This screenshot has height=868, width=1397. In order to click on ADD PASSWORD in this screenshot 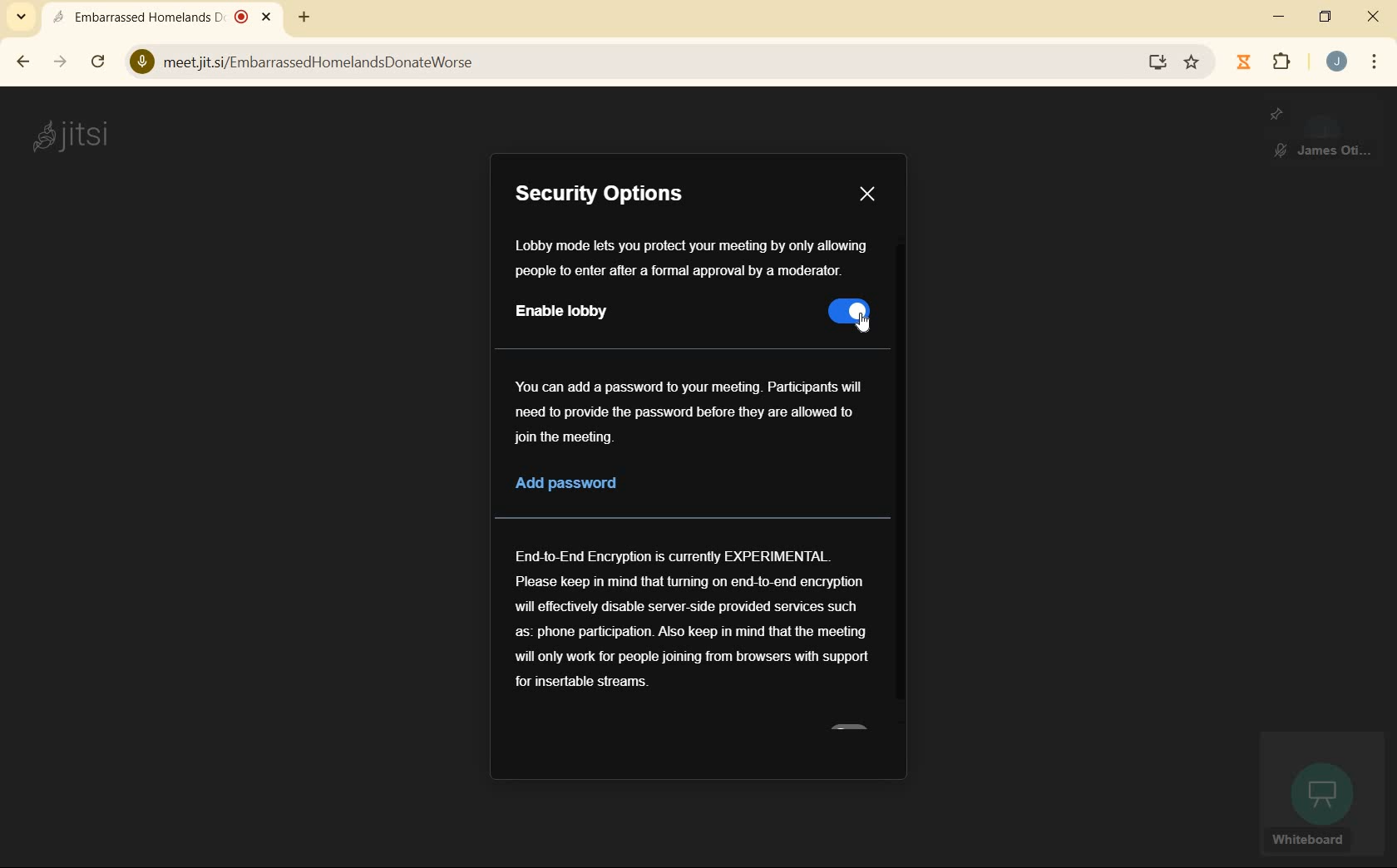, I will do `click(590, 485)`.